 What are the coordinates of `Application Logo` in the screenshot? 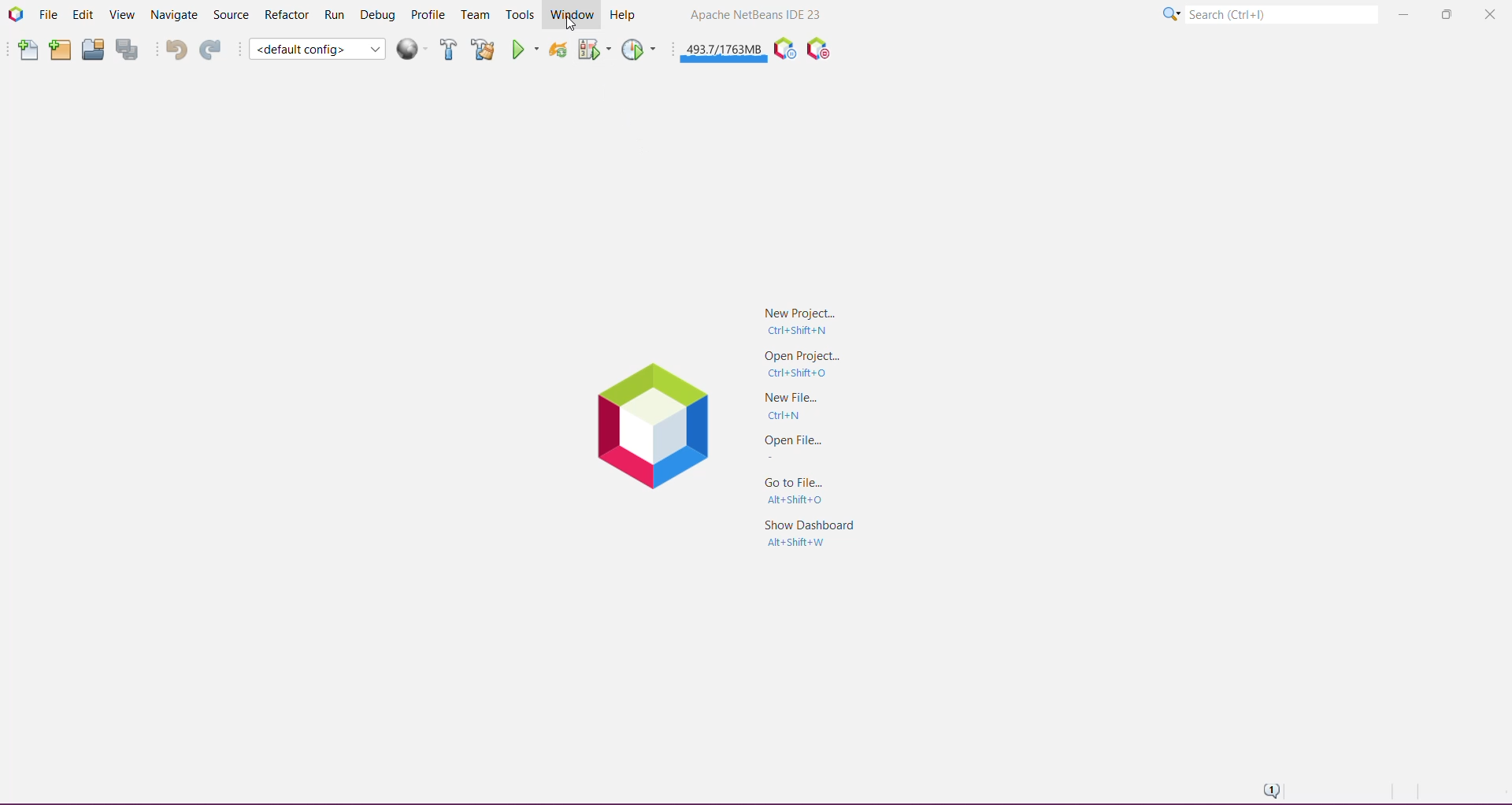 It's located at (650, 421).